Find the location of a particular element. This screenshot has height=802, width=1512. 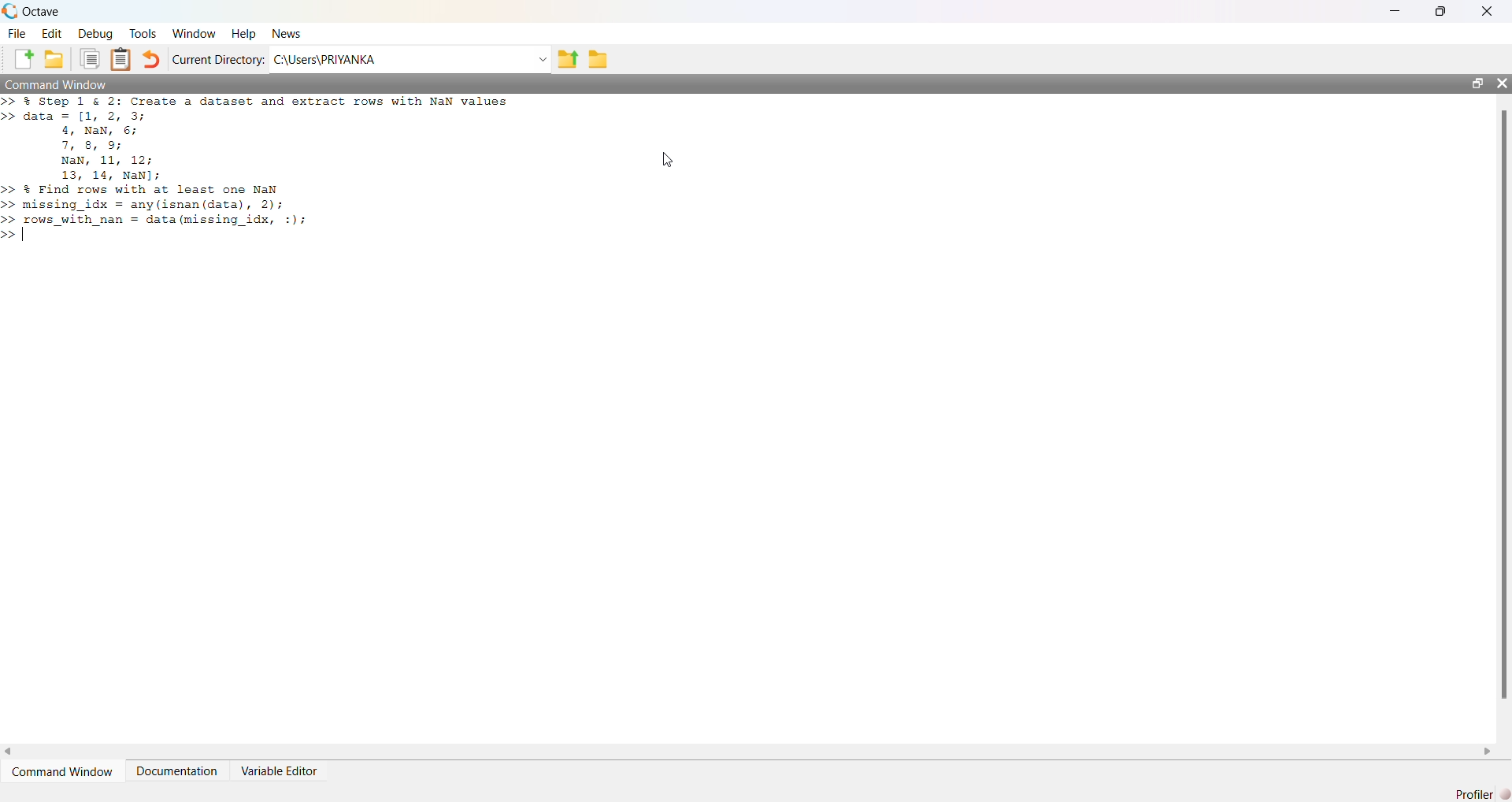

dropdown is located at coordinates (541, 60).